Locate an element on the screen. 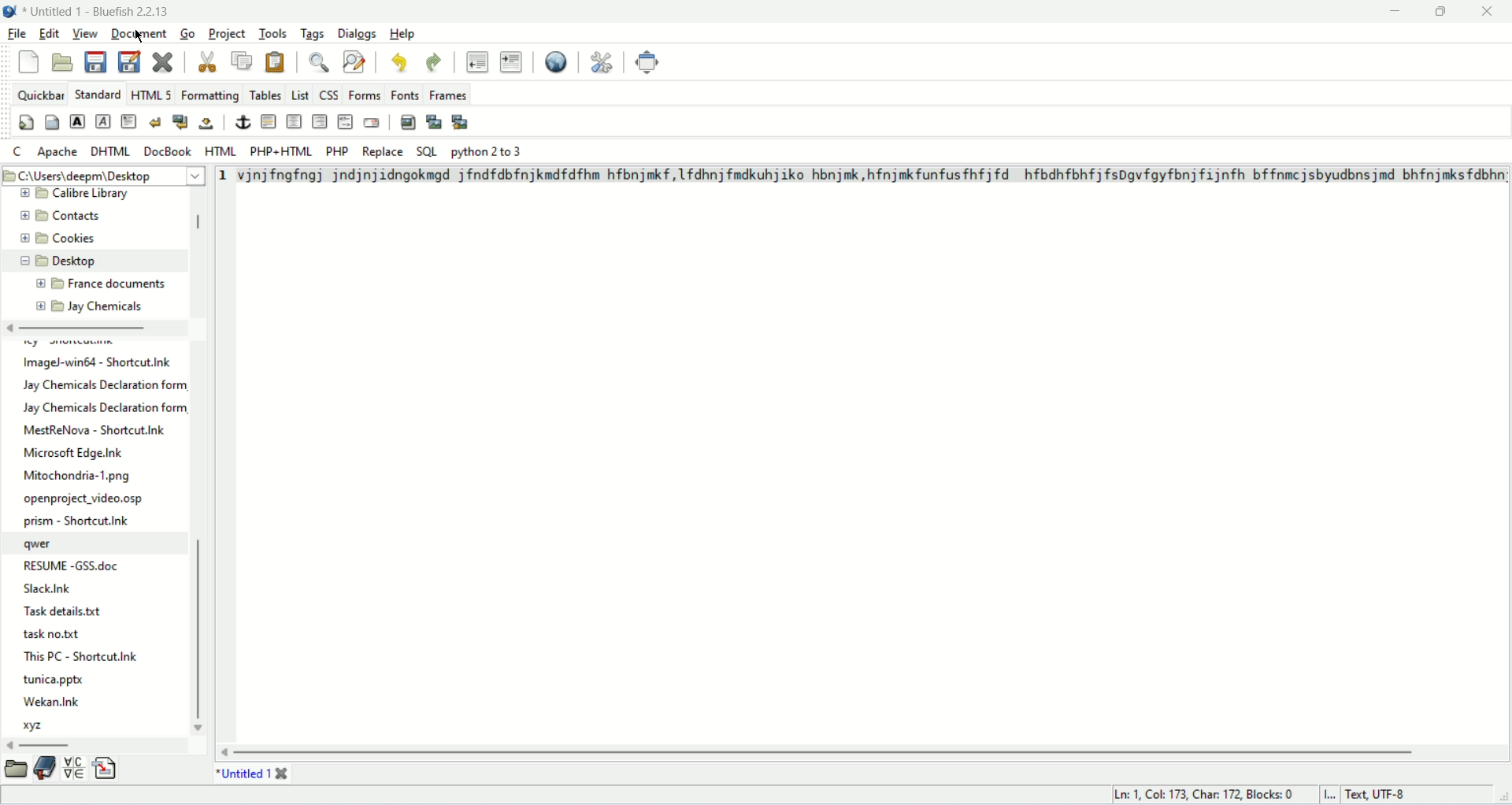 The width and height of the screenshot is (1512, 805). undo is located at coordinates (402, 65).